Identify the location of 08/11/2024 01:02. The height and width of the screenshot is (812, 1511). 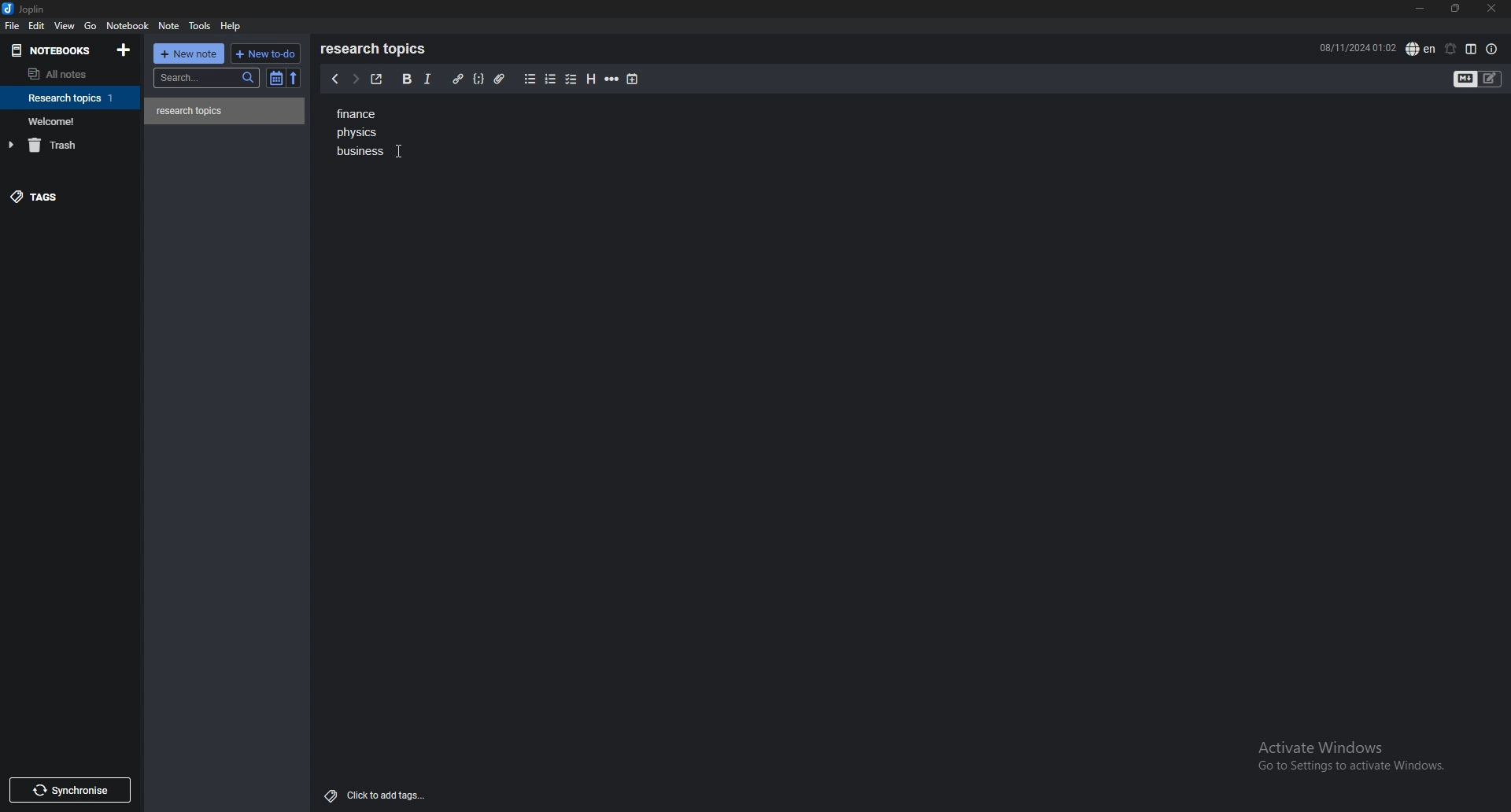
(1357, 47).